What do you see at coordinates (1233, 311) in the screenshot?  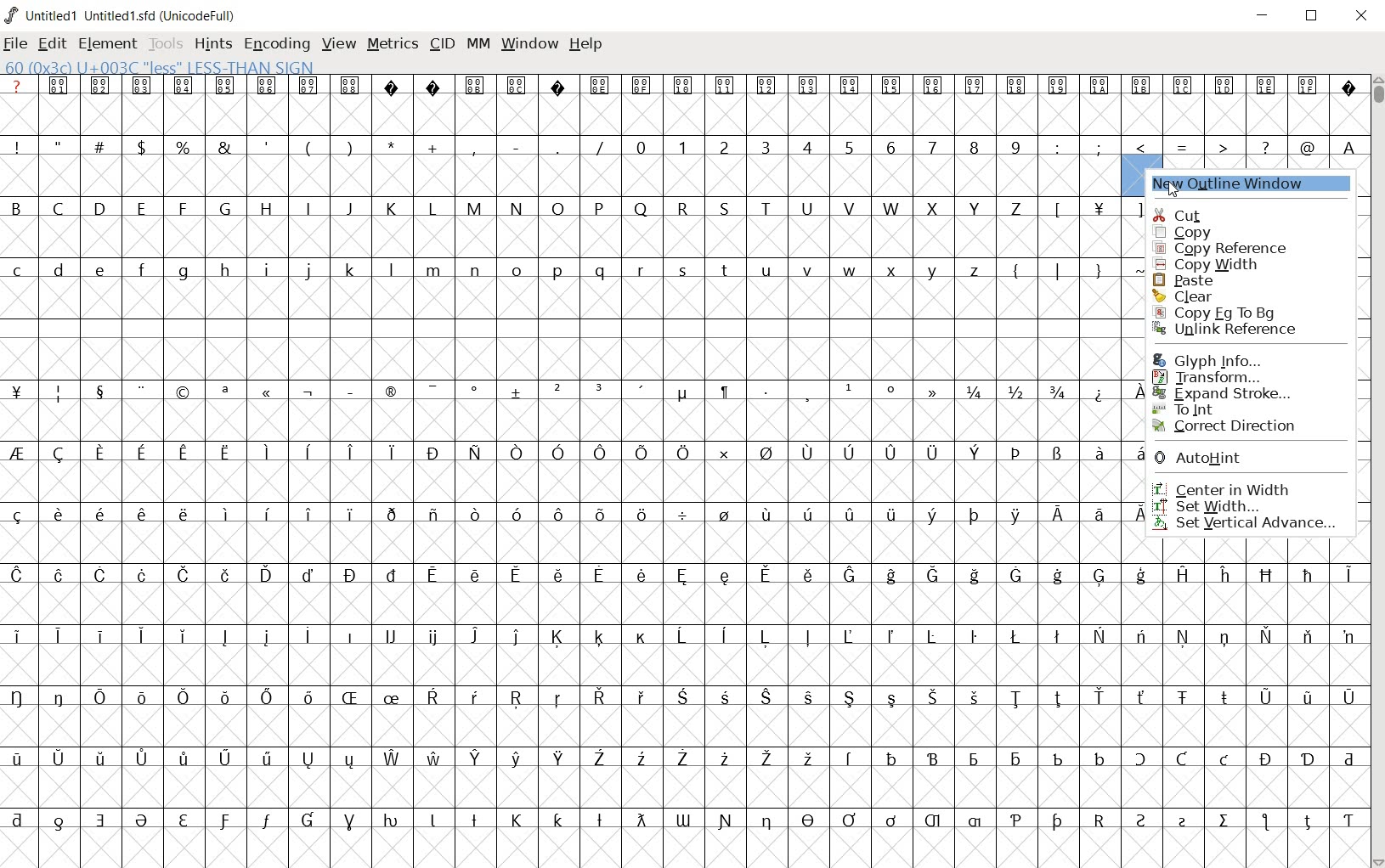 I see `Copy Fg to Bg` at bounding box center [1233, 311].